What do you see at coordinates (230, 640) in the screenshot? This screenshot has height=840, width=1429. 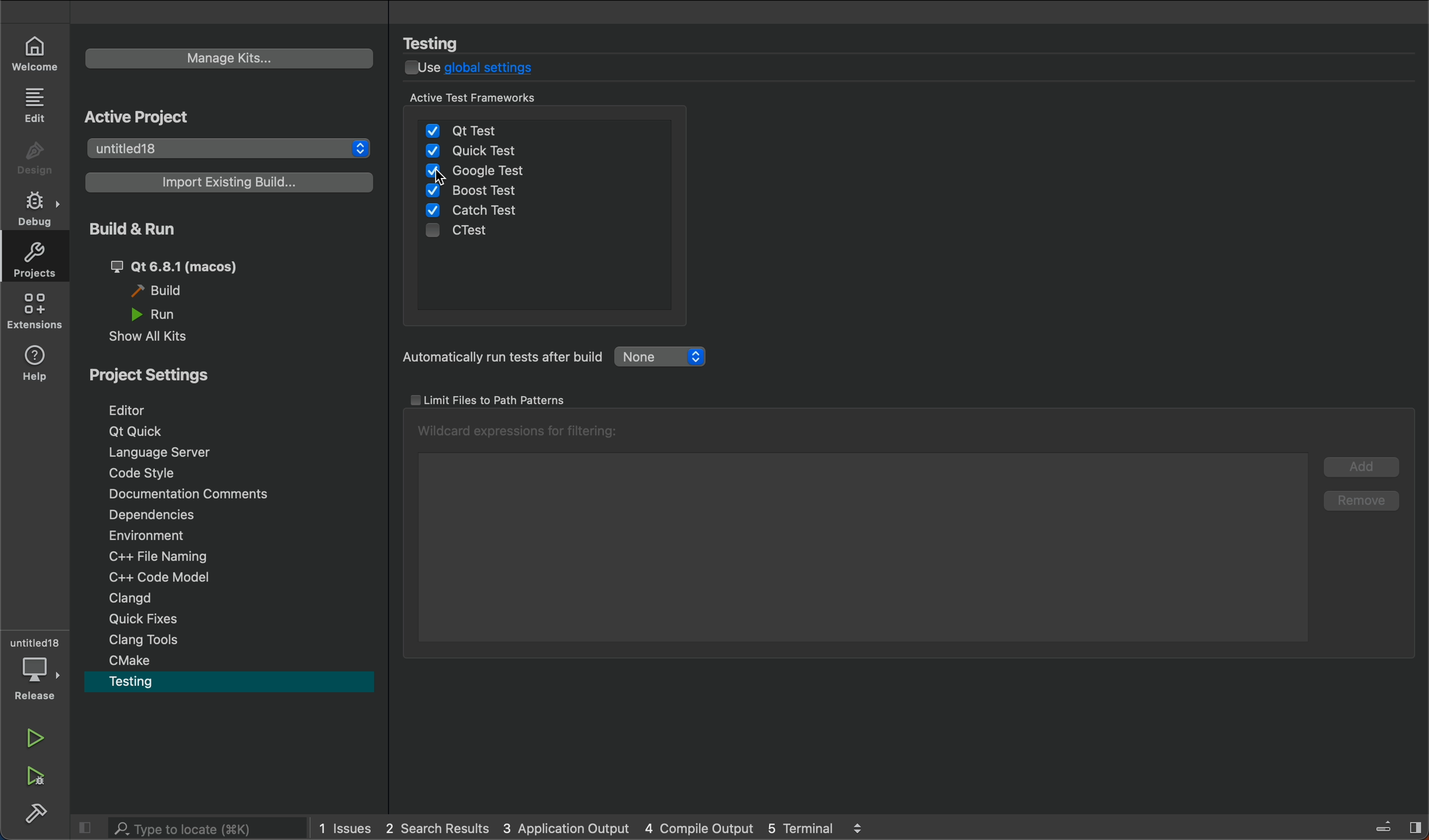 I see `clang tools` at bounding box center [230, 640].